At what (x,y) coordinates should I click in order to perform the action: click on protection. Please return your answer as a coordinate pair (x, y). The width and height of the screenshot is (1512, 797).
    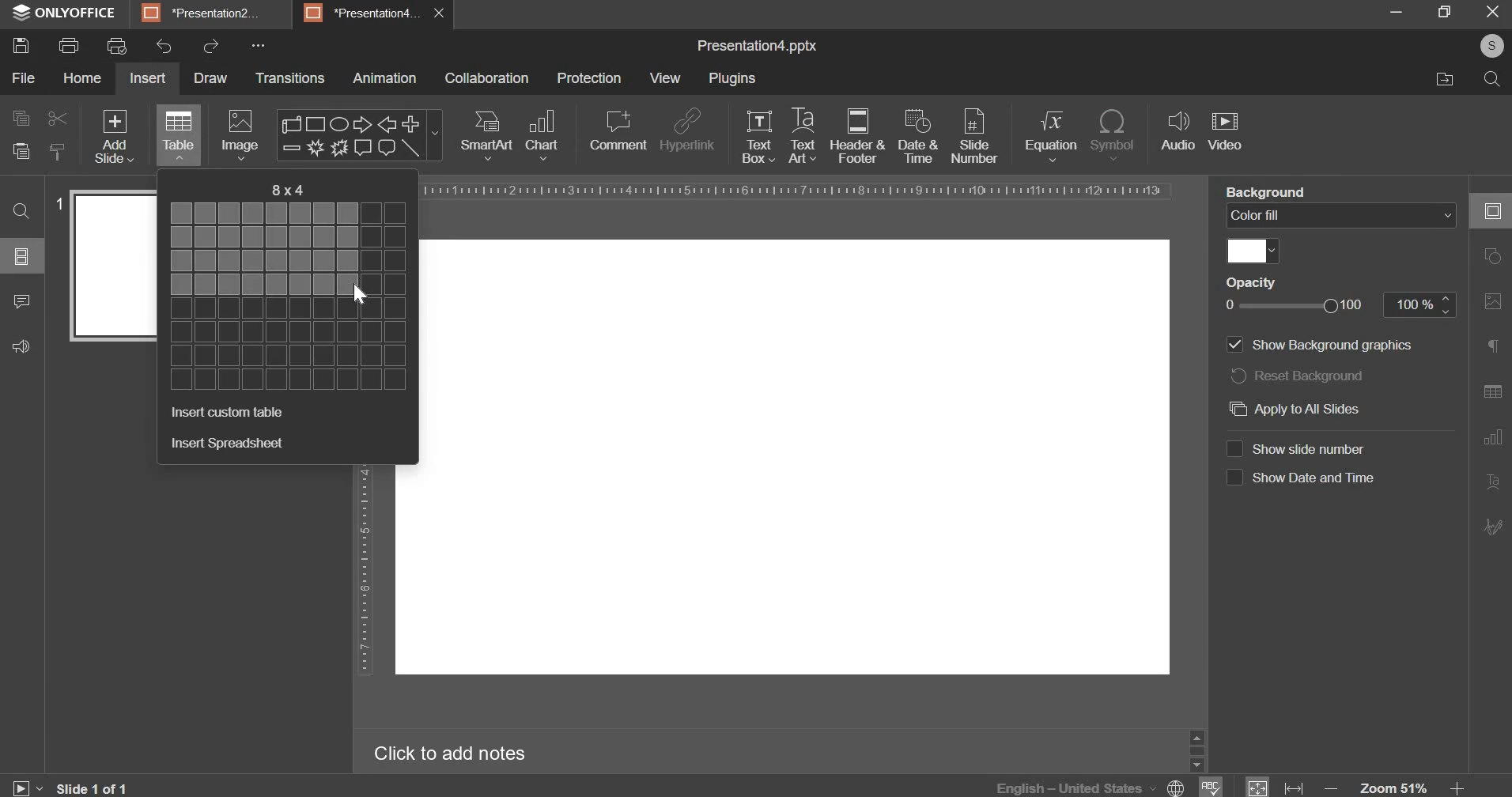
    Looking at the image, I should click on (590, 78).